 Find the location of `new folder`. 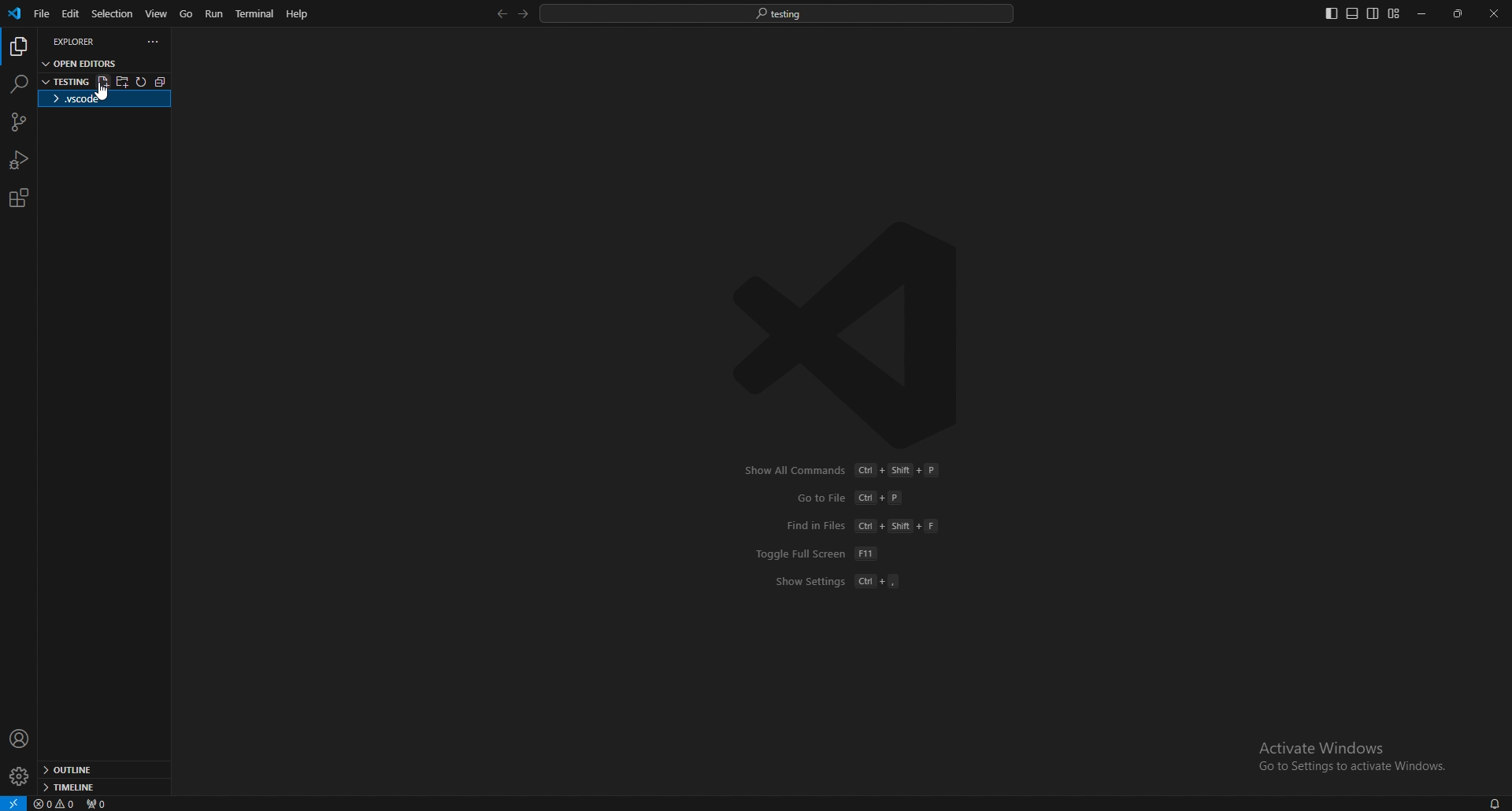

new folder is located at coordinates (123, 81).